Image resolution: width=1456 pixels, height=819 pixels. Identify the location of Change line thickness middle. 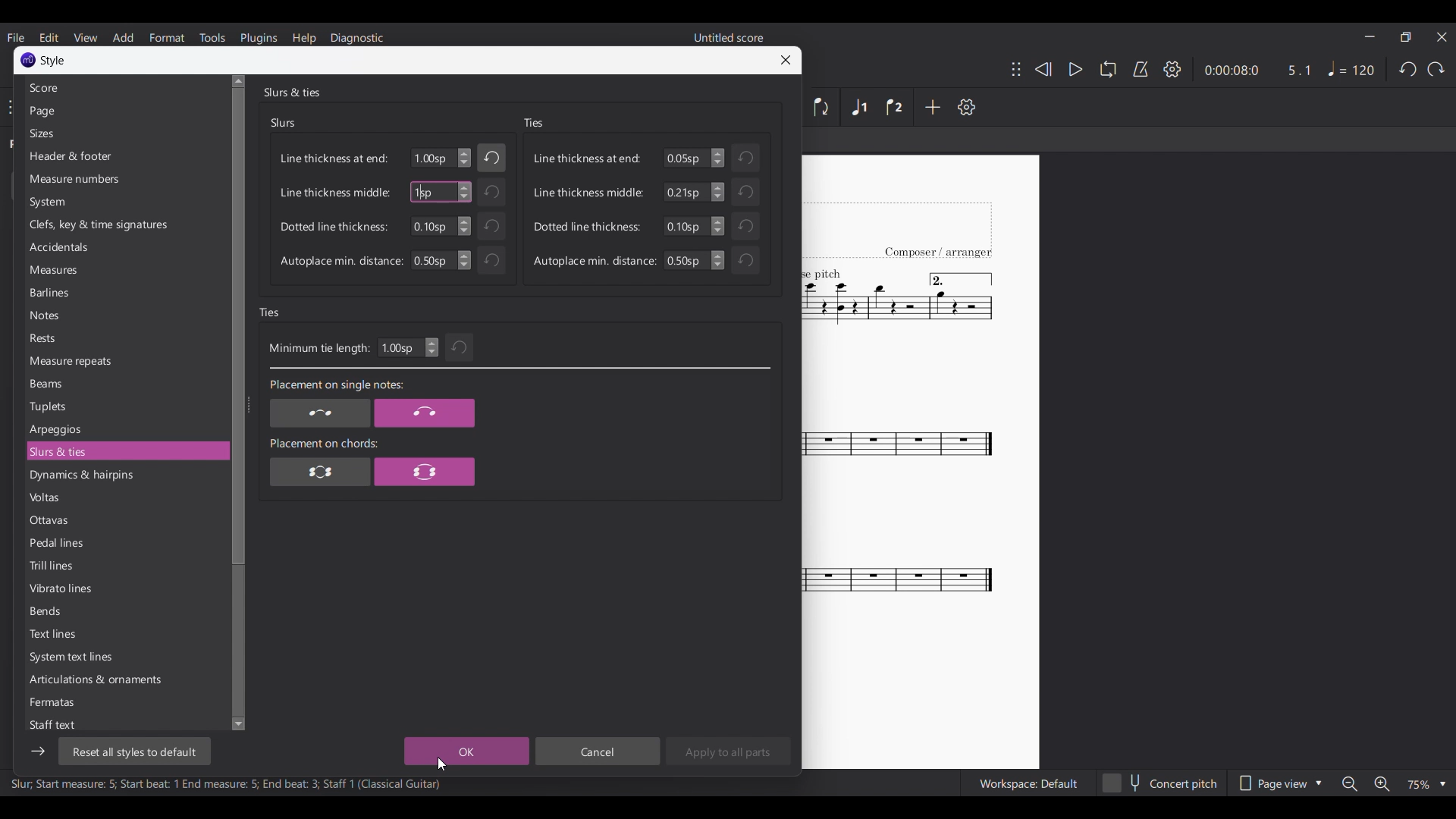
(717, 192).